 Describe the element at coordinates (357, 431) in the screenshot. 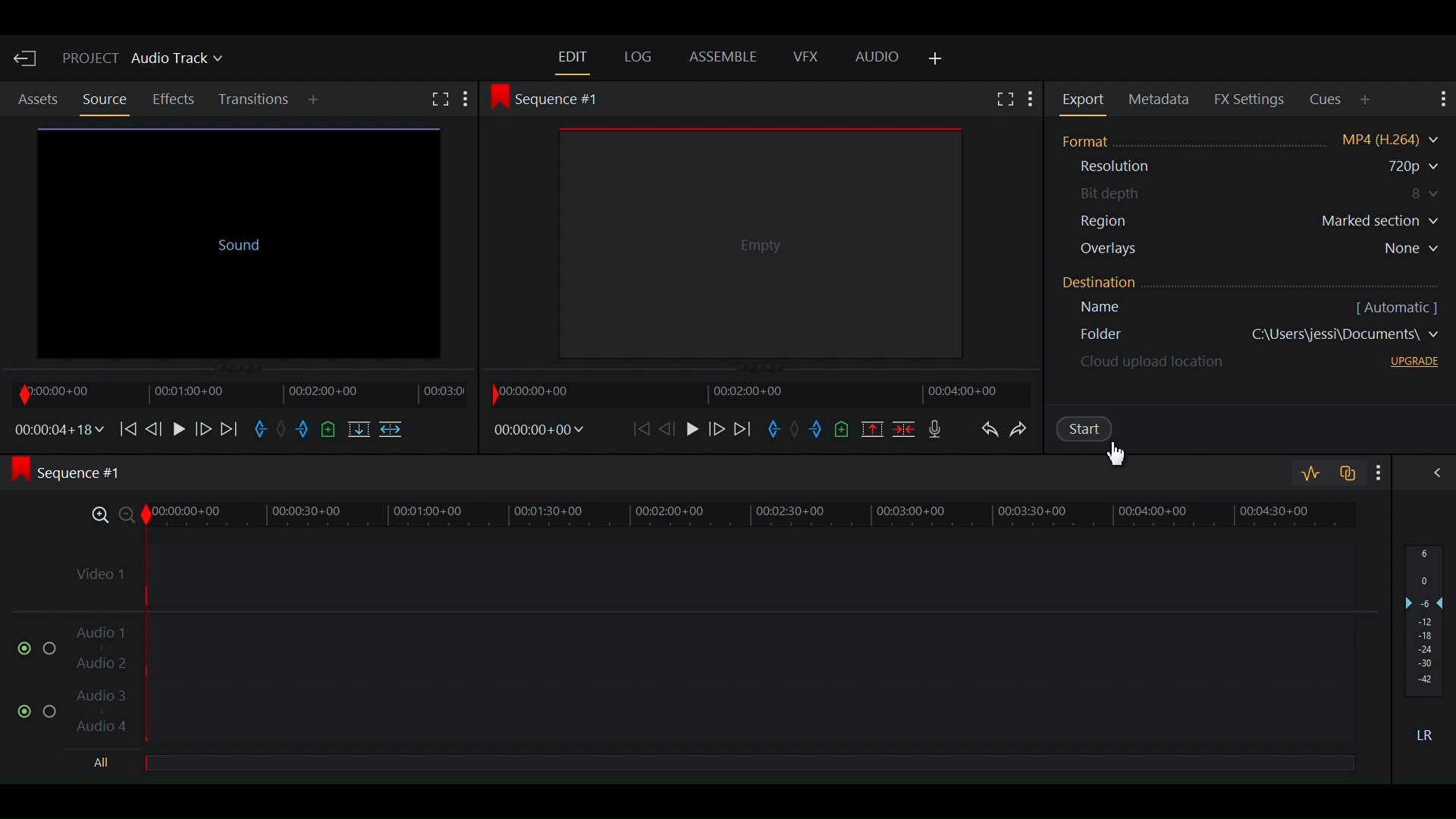

I see `Replace into the target sequence` at that location.